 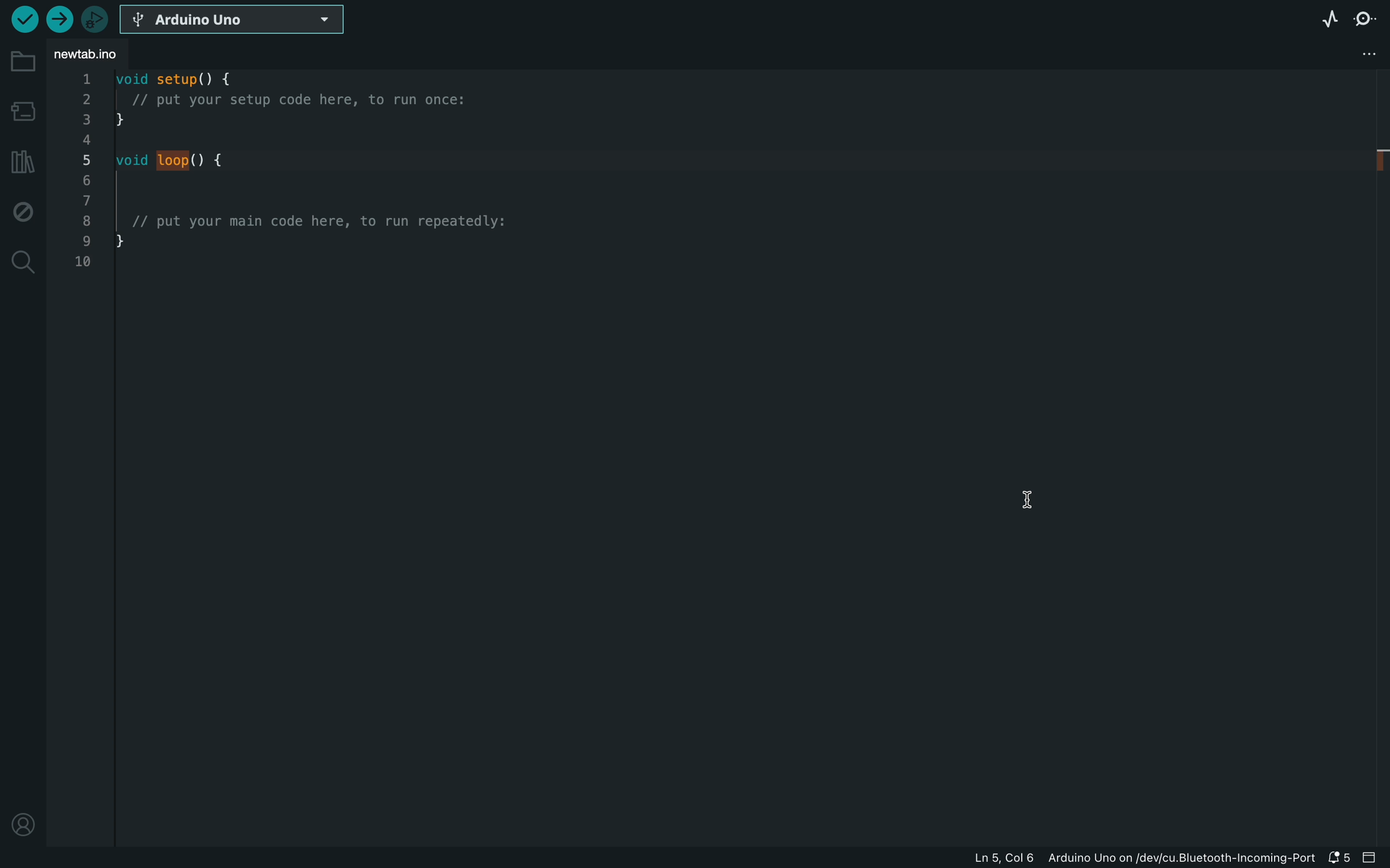 What do you see at coordinates (22, 163) in the screenshot?
I see `library manager` at bounding box center [22, 163].